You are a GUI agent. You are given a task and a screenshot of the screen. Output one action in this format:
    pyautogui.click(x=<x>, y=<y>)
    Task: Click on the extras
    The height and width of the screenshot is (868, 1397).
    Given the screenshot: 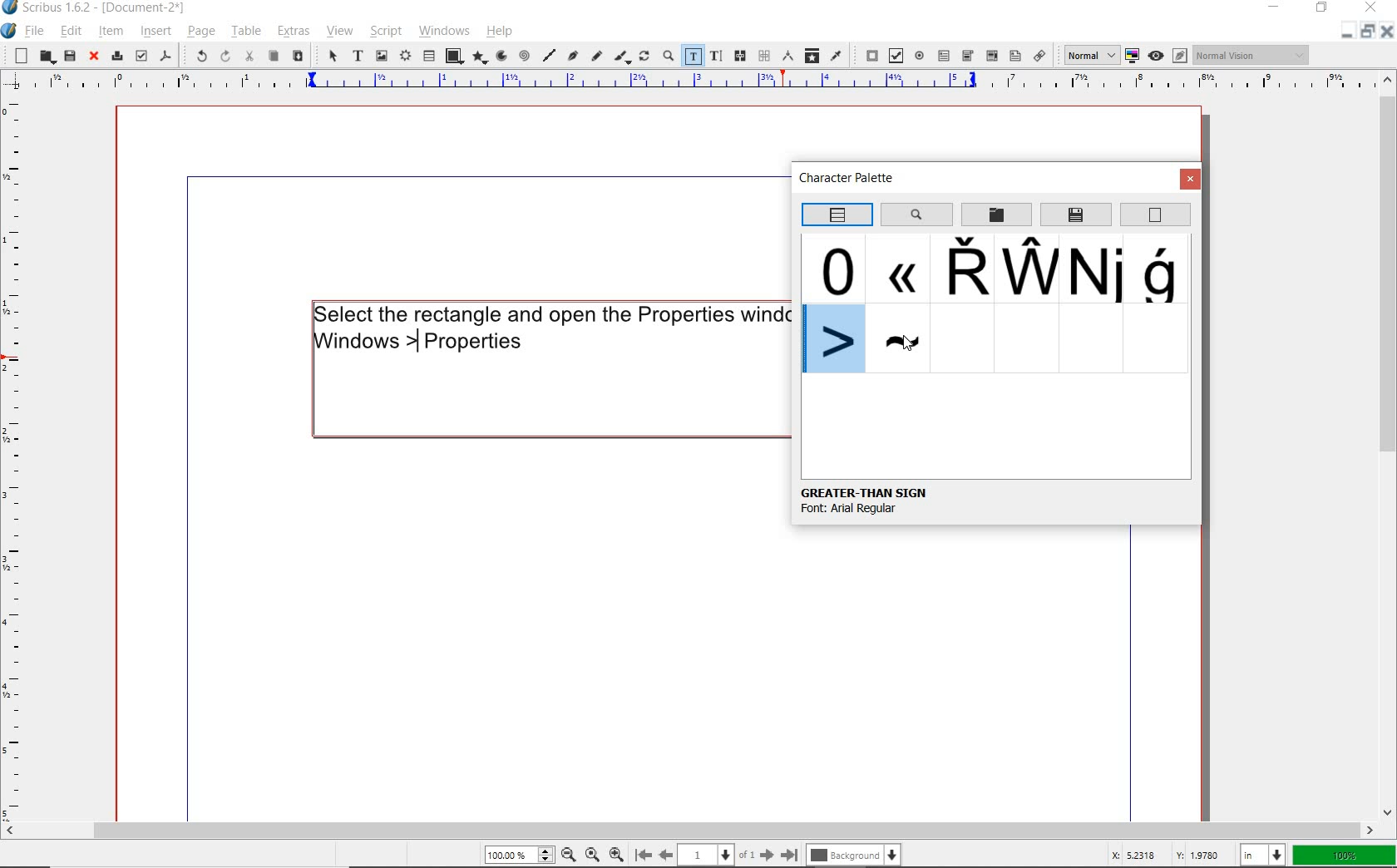 What is the action you would take?
    pyautogui.click(x=296, y=32)
    